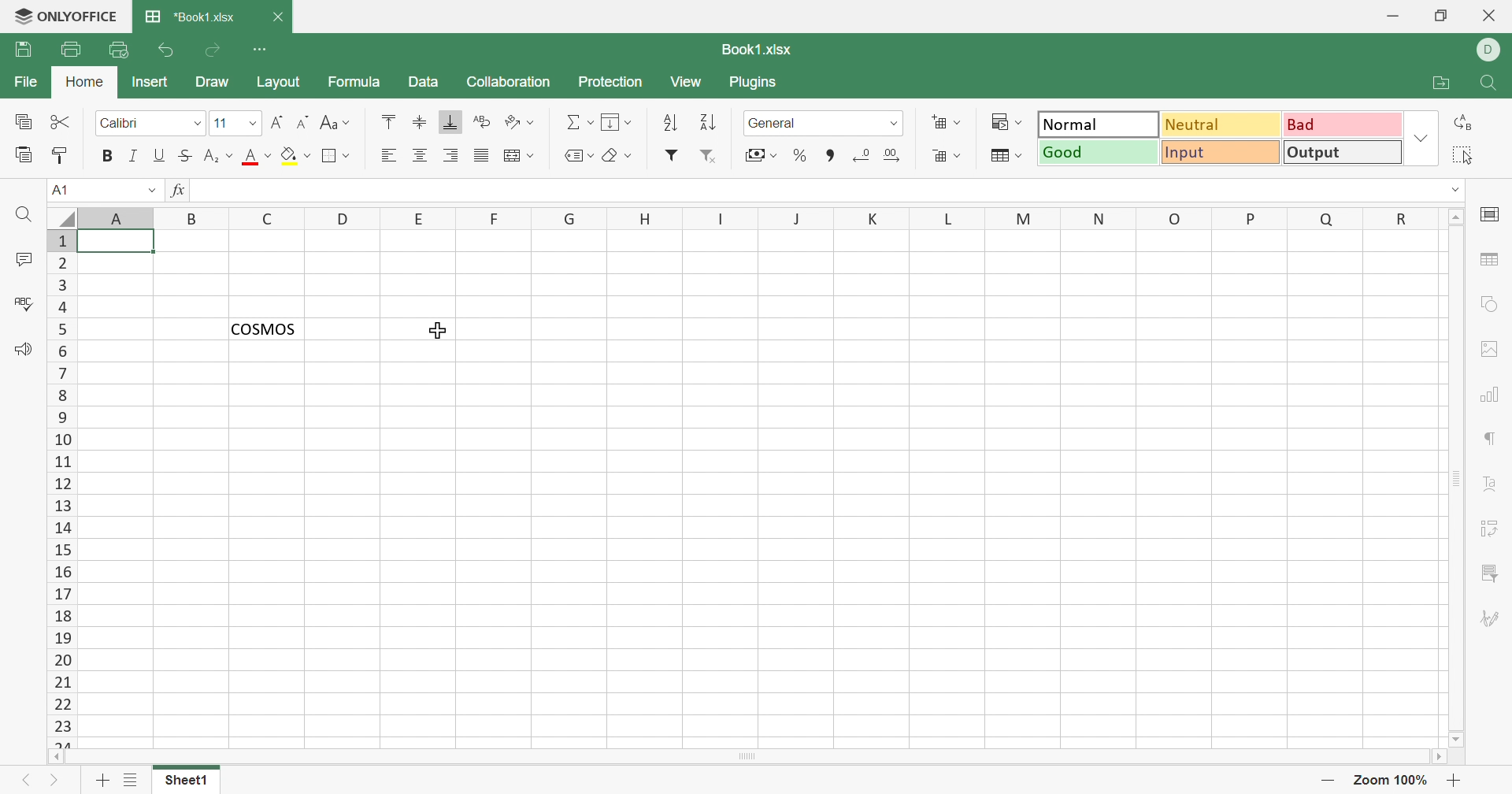  I want to click on Pivot settings, so click(1492, 531).